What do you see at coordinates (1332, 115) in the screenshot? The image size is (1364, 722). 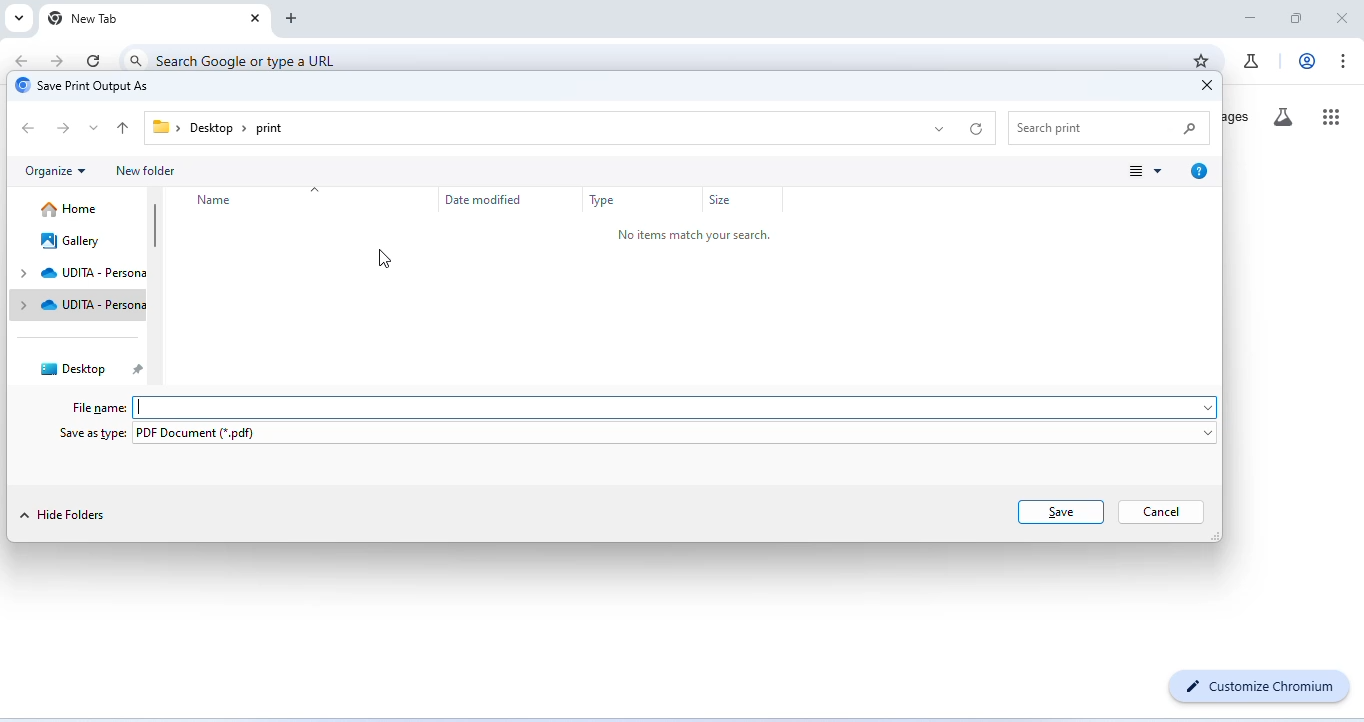 I see `google apps` at bounding box center [1332, 115].